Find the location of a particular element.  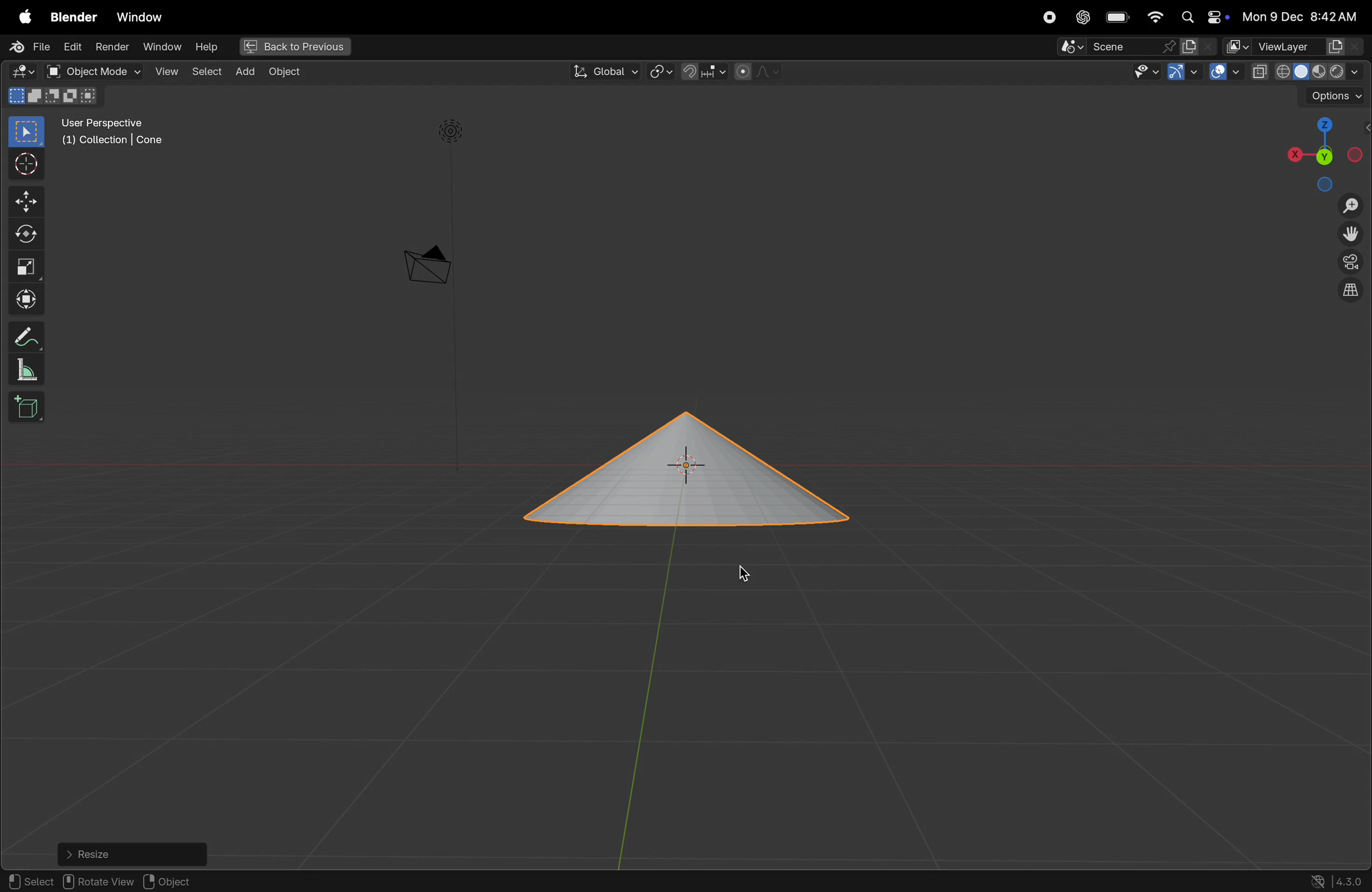

date and time is located at coordinates (1299, 16).